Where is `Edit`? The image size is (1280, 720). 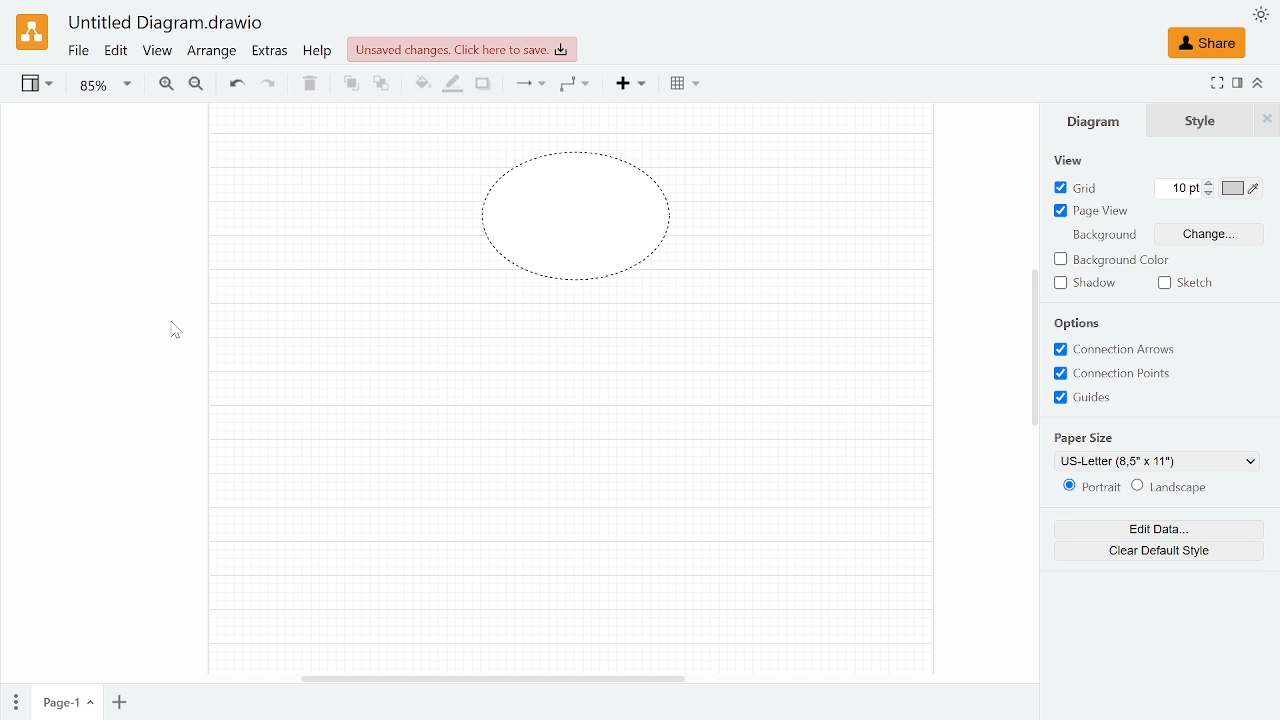
Edit is located at coordinates (115, 51).